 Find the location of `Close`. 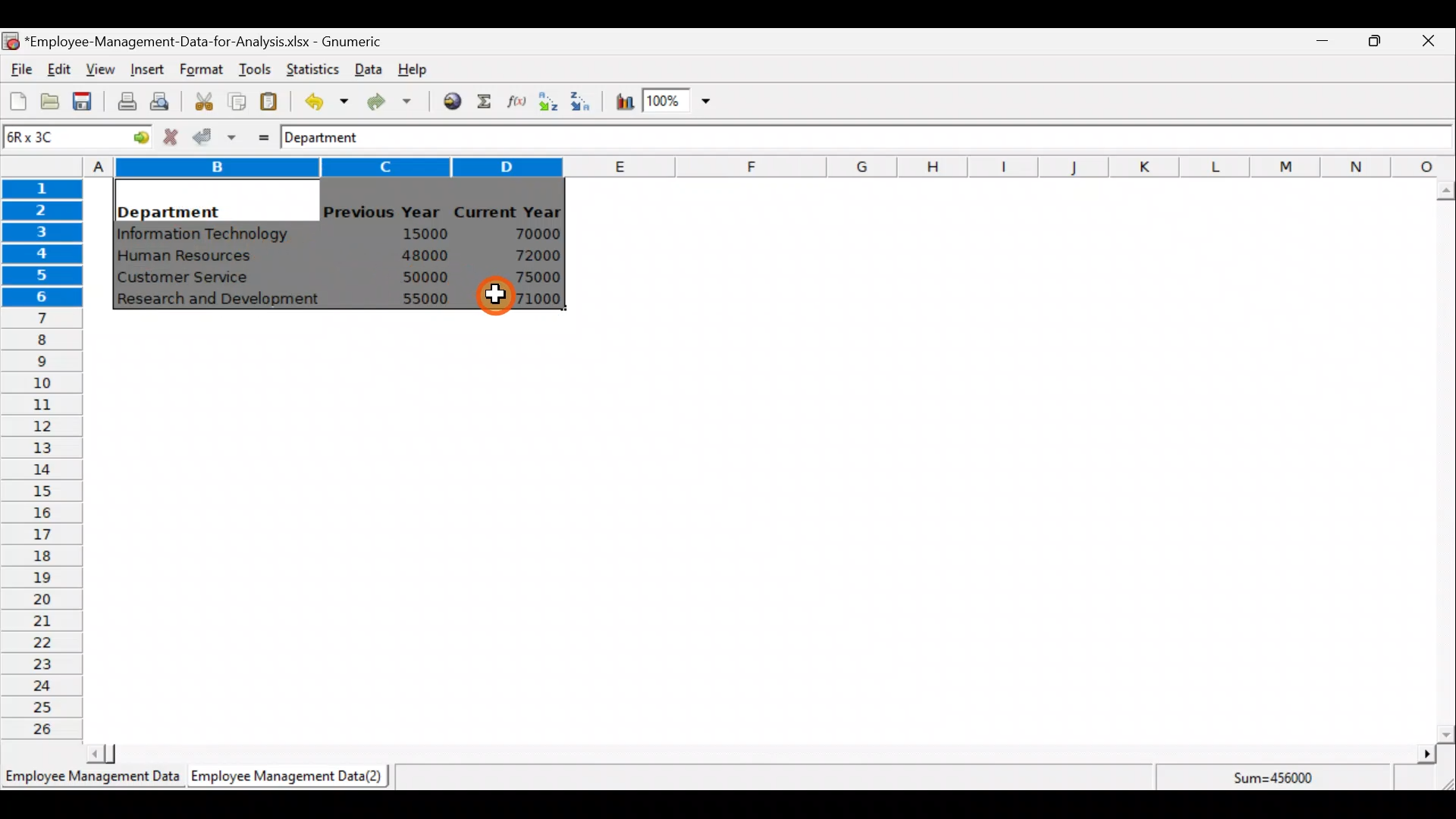

Close is located at coordinates (1427, 43).